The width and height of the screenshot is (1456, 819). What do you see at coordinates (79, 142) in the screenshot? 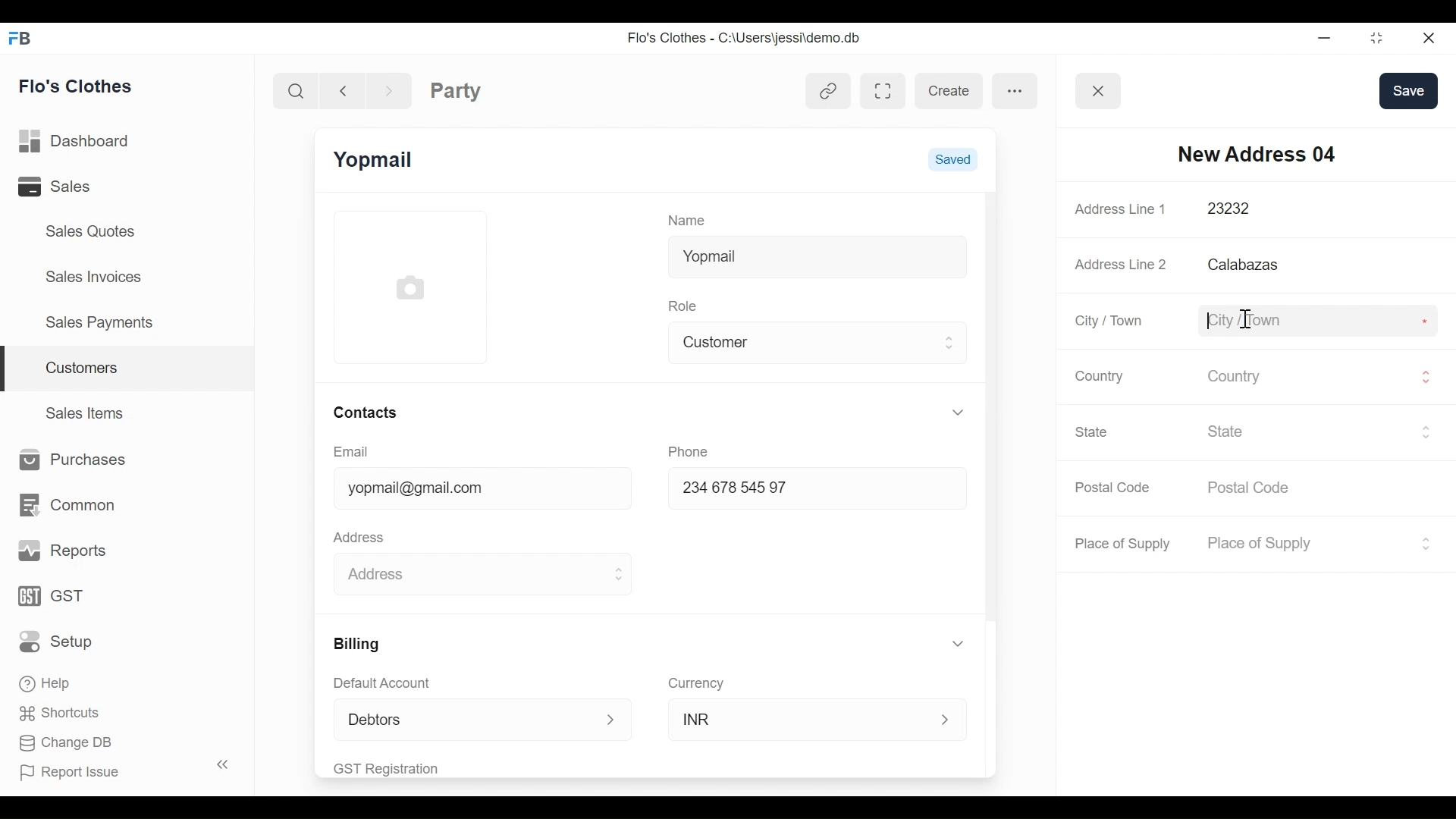
I see `Dashboard` at bounding box center [79, 142].